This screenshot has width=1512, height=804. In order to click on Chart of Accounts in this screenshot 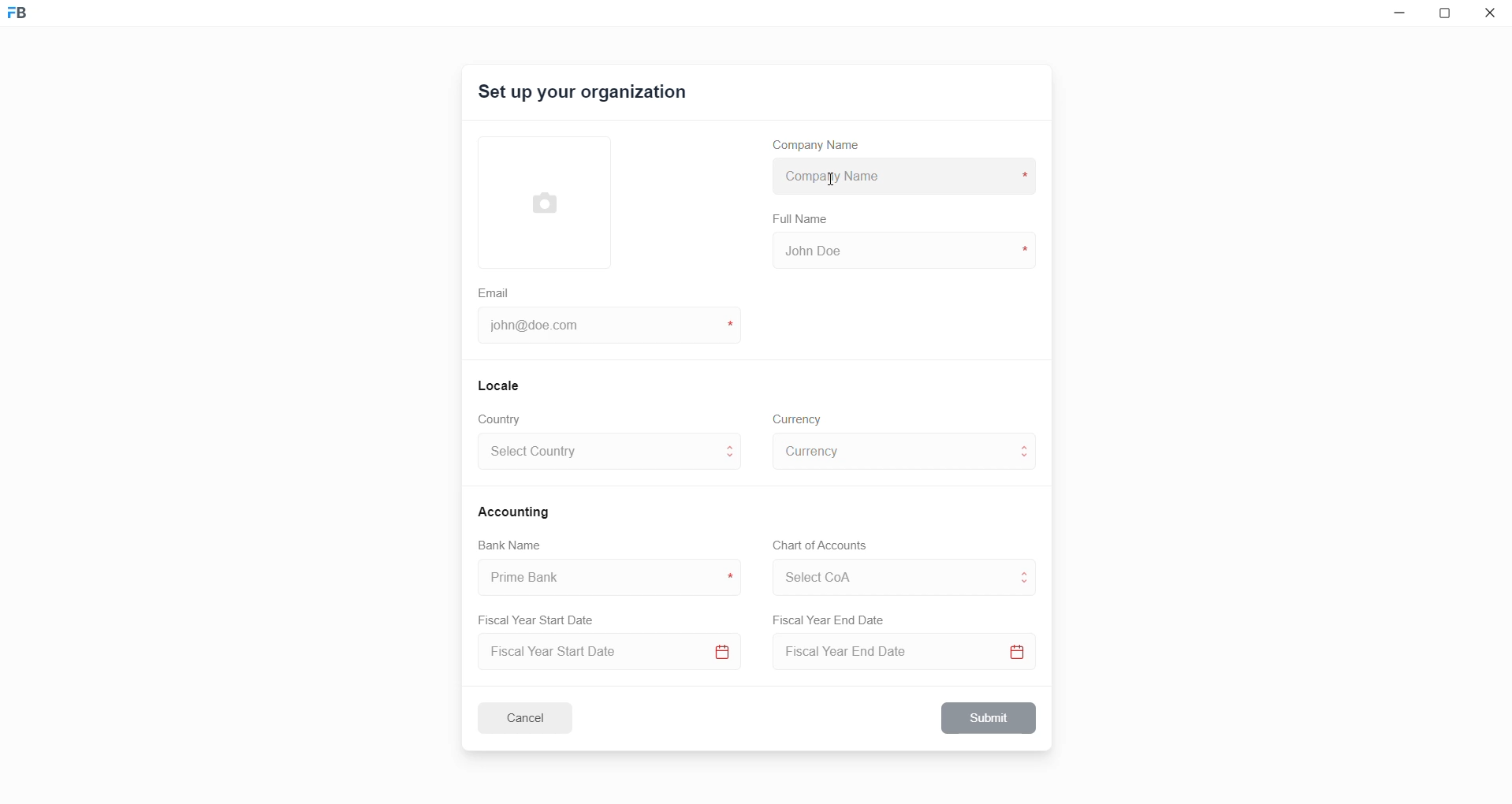, I will do `click(815, 545)`.